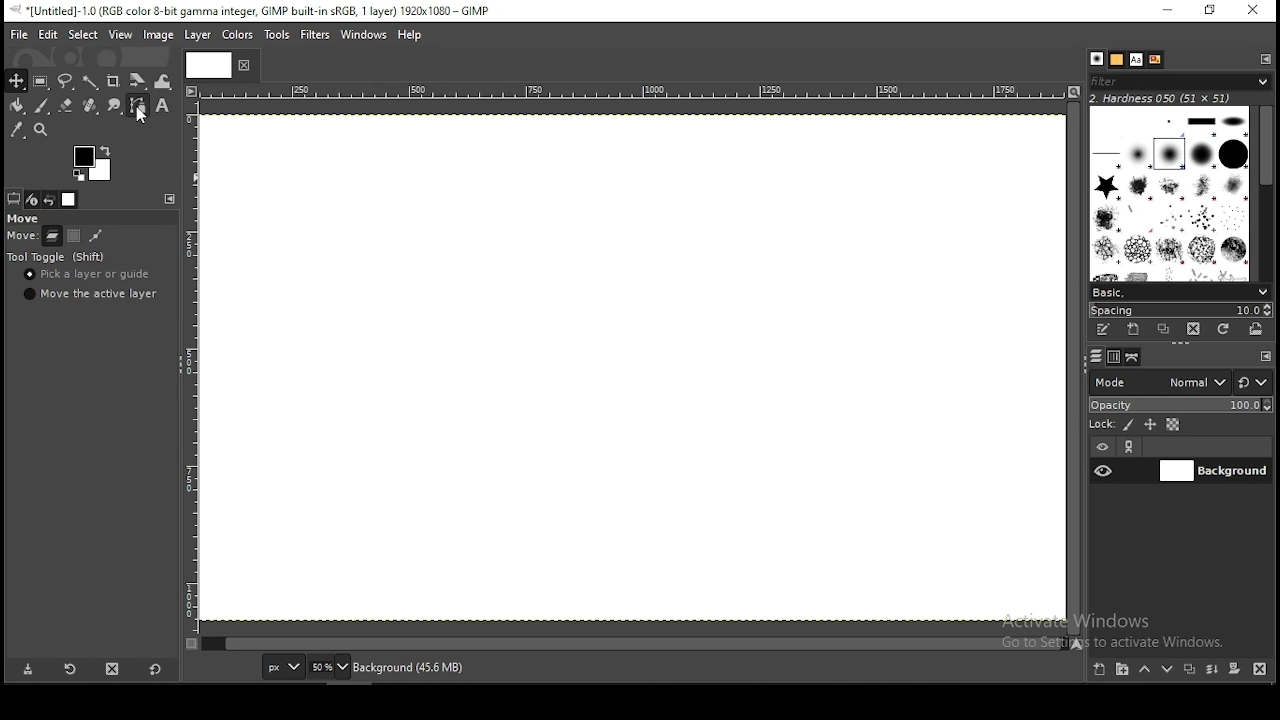 This screenshot has height=720, width=1280. Describe the element at coordinates (93, 274) in the screenshot. I see `pick a layer or guide` at that location.